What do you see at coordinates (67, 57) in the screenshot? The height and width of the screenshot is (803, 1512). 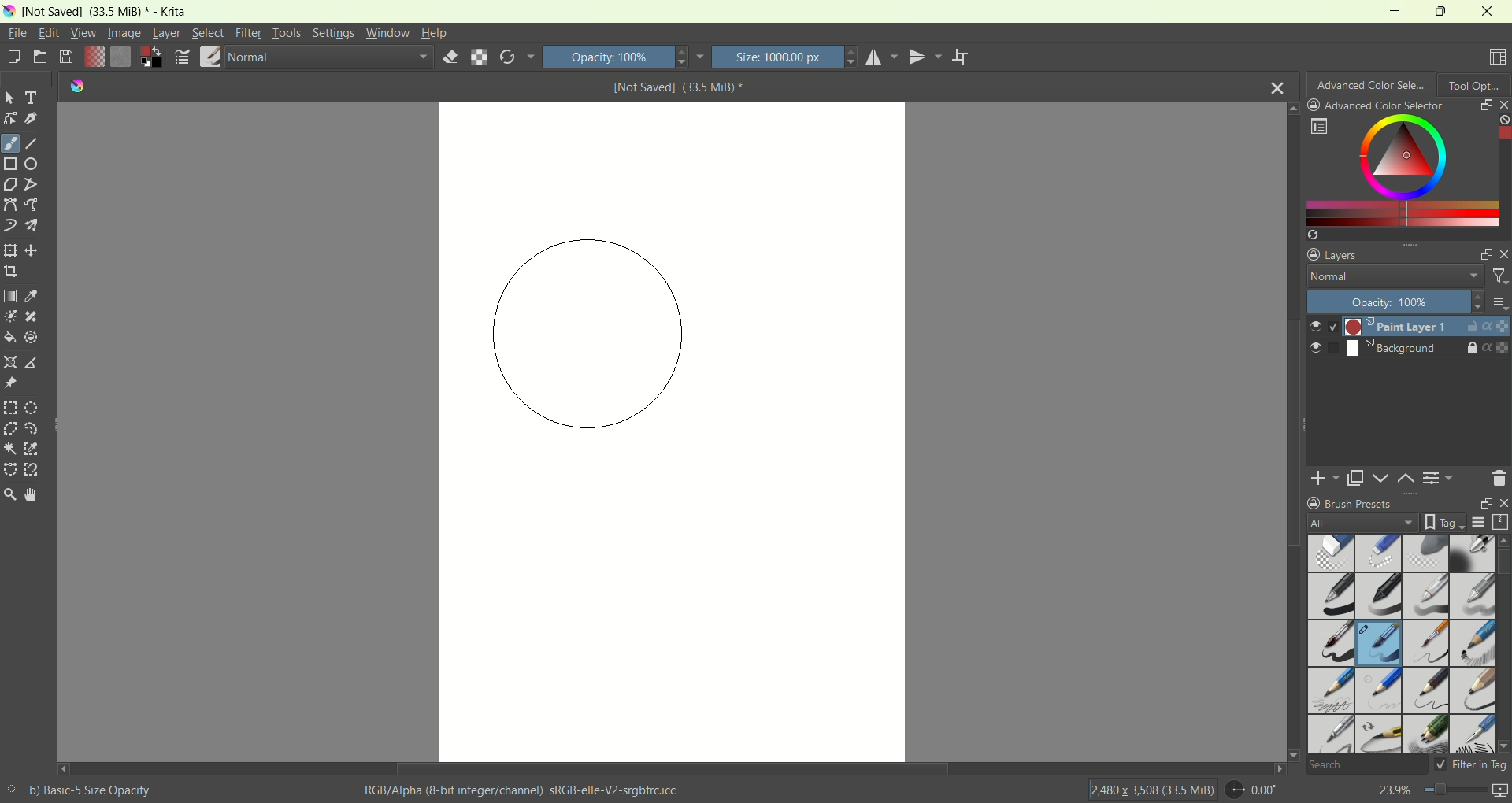 I see `save` at bounding box center [67, 57].